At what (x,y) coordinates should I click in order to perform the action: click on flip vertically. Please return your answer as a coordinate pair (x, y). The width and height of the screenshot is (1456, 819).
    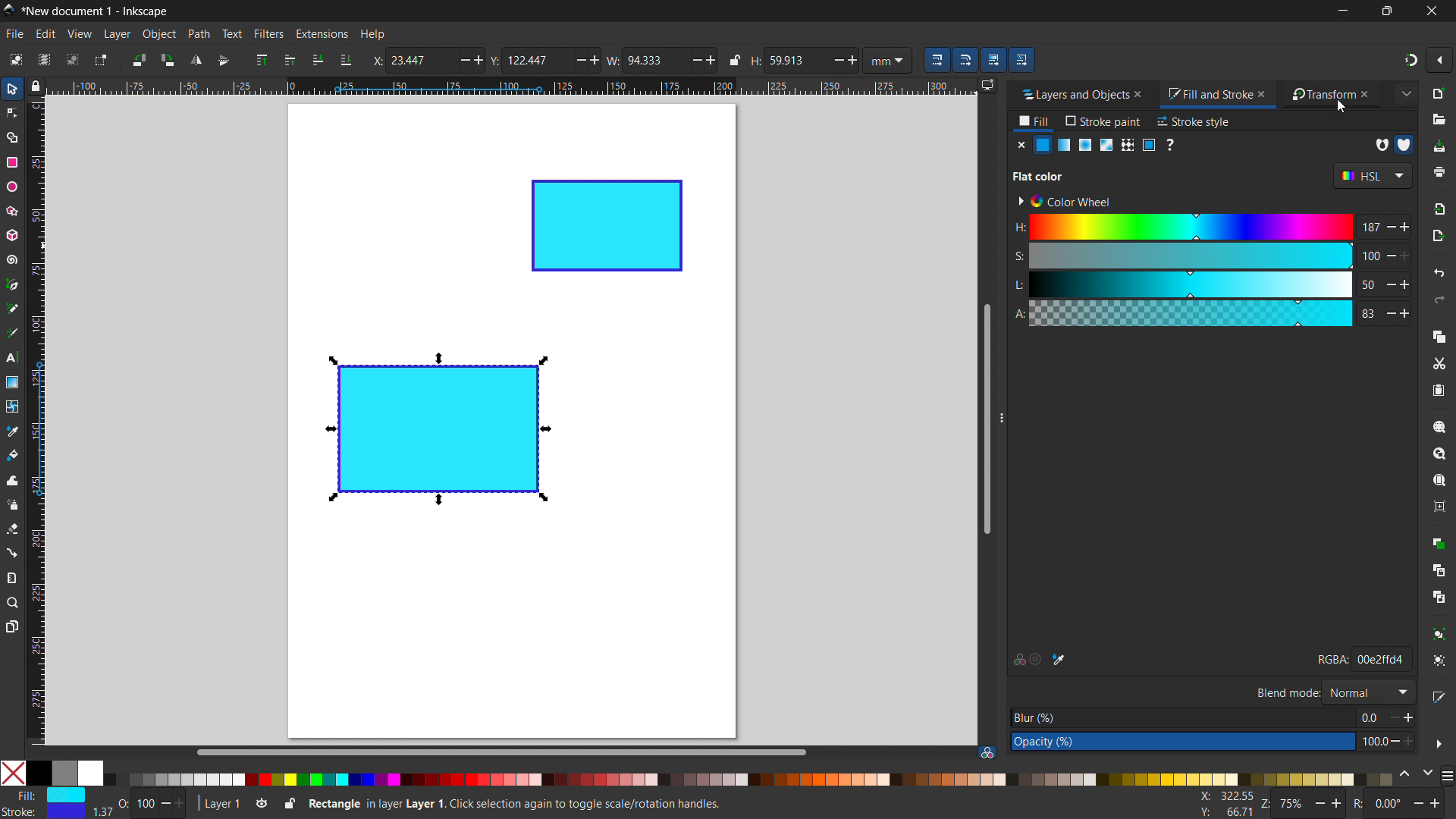
    Looking at the image, I should click on (224, 61).